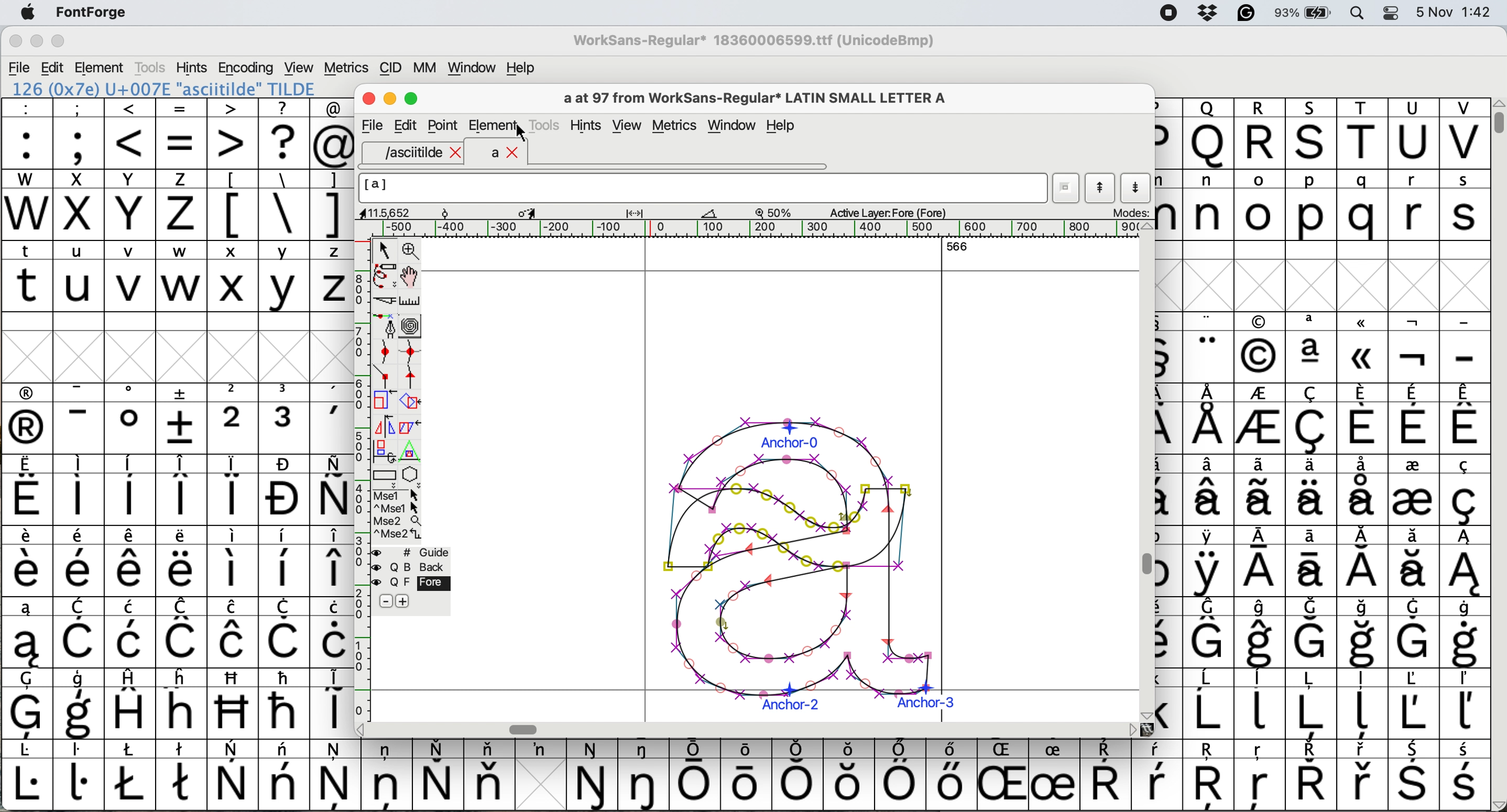 Image resolution: width=1507 pixels, height=812 pixels. I want to click on R, so click(1260, 134).